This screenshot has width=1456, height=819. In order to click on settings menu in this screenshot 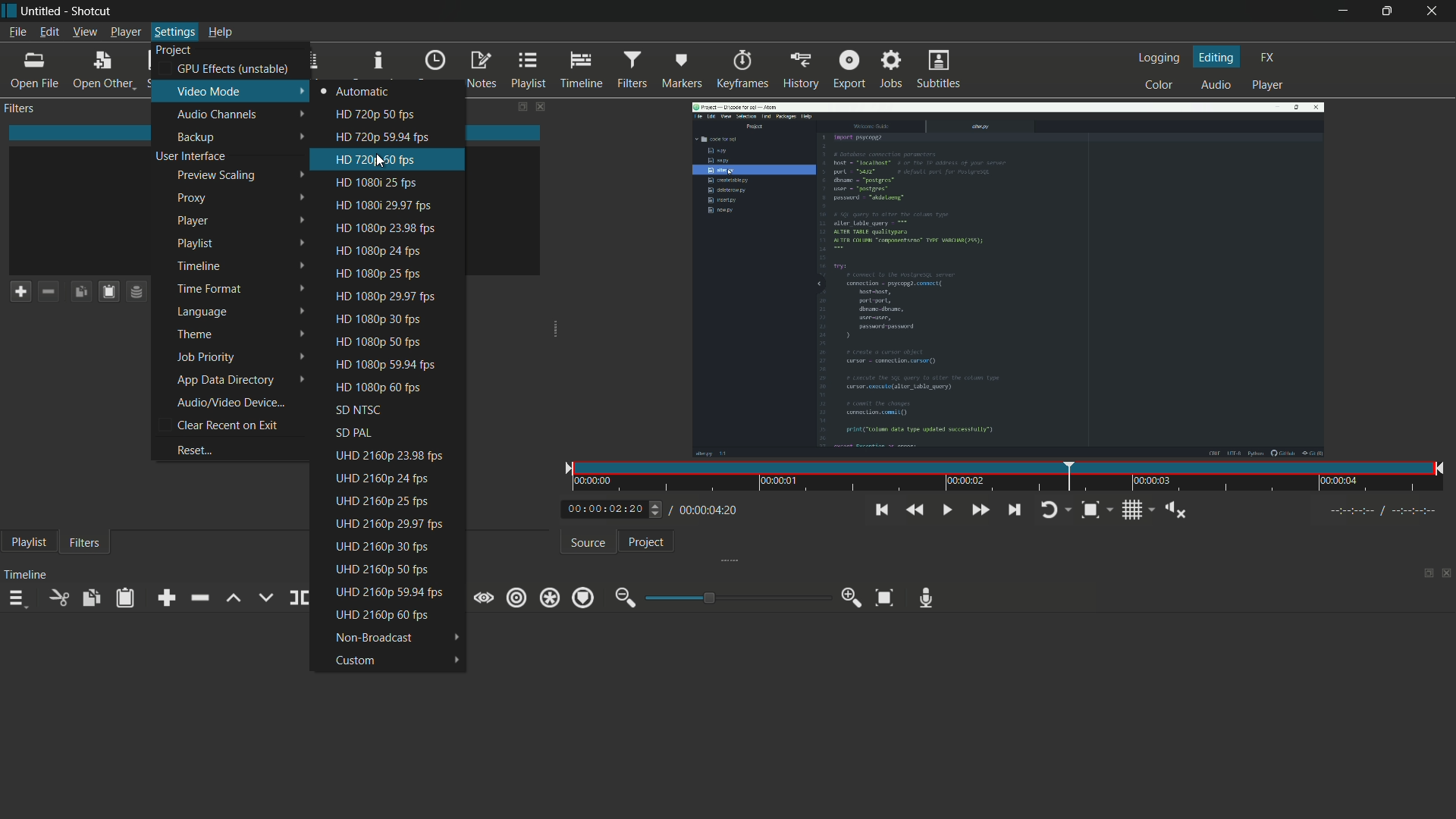, I will do `click(174, 33)`.